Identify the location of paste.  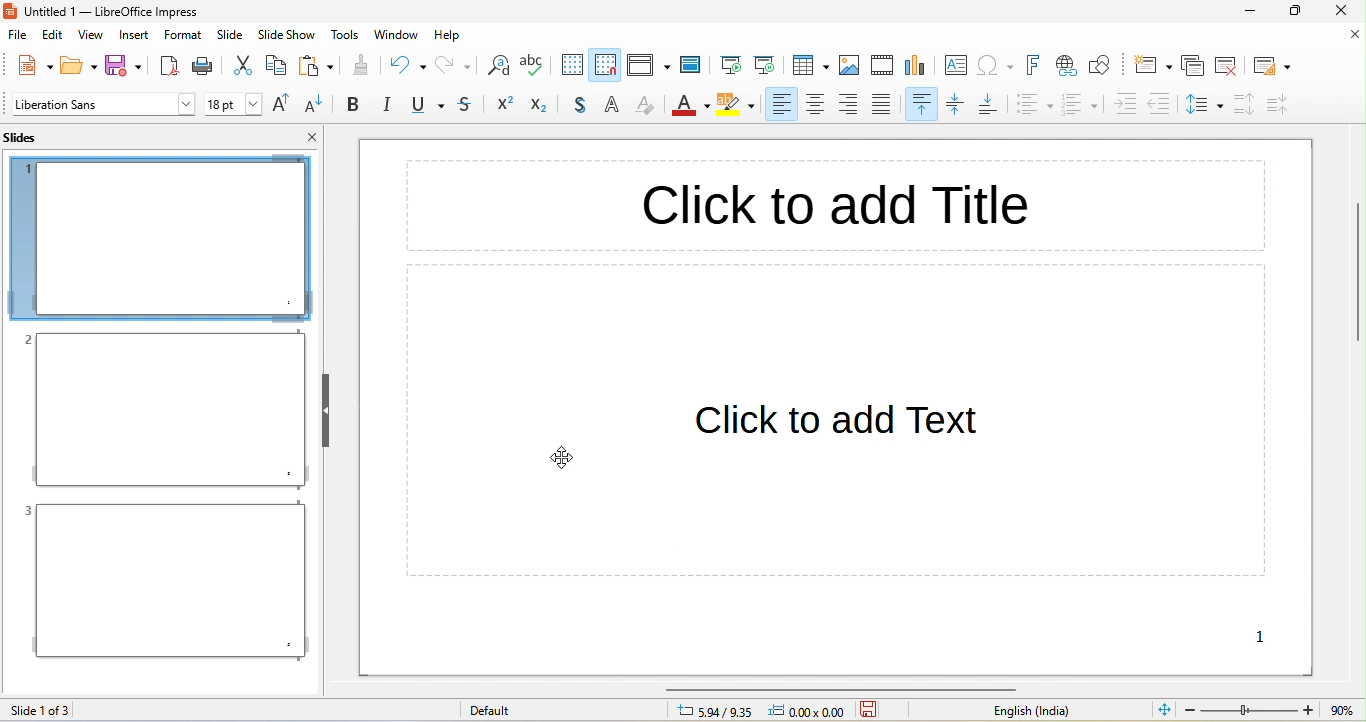
(316, 65).